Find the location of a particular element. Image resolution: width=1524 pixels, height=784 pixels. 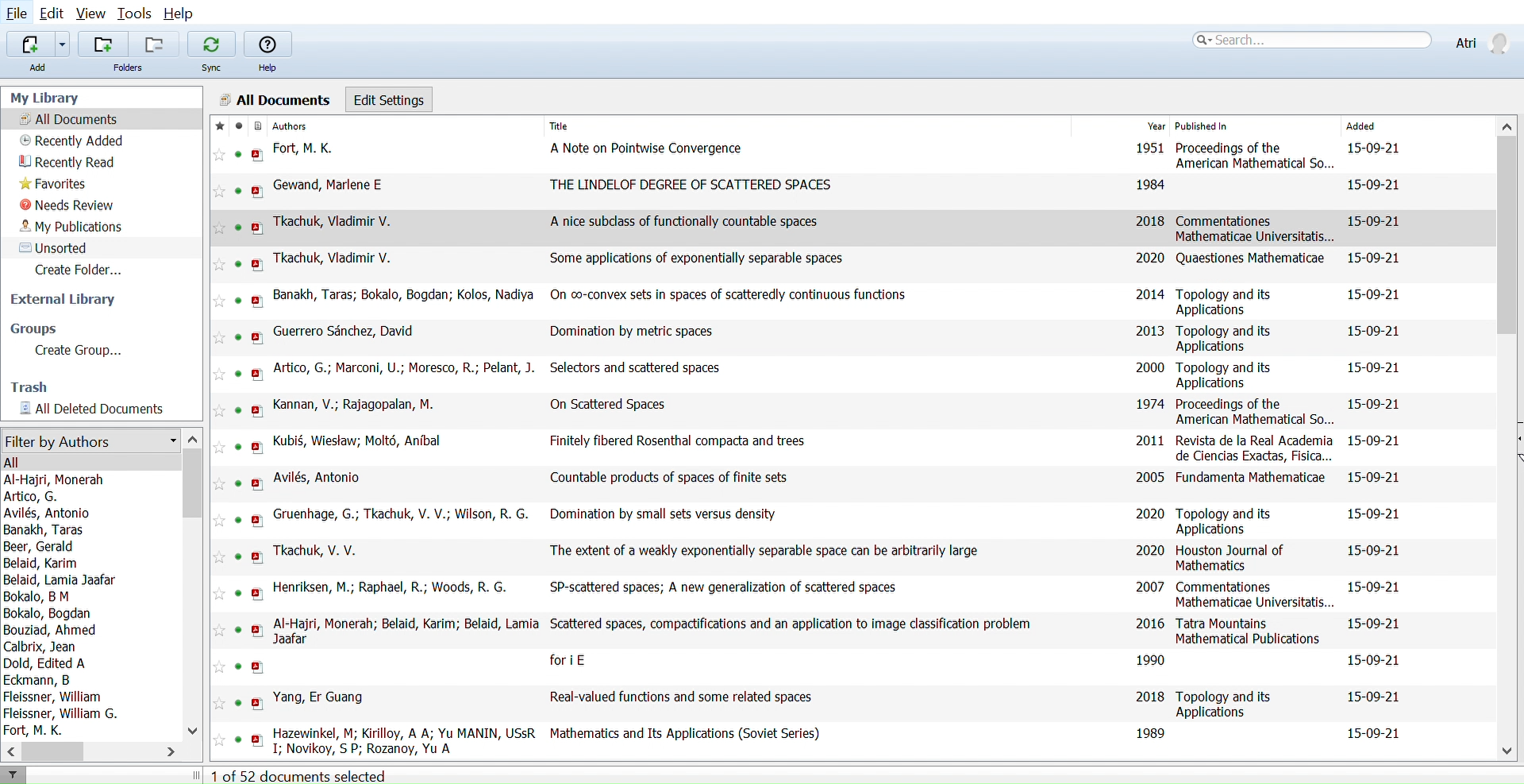

Yang, Er Guang is located at coordinates (321, 698).